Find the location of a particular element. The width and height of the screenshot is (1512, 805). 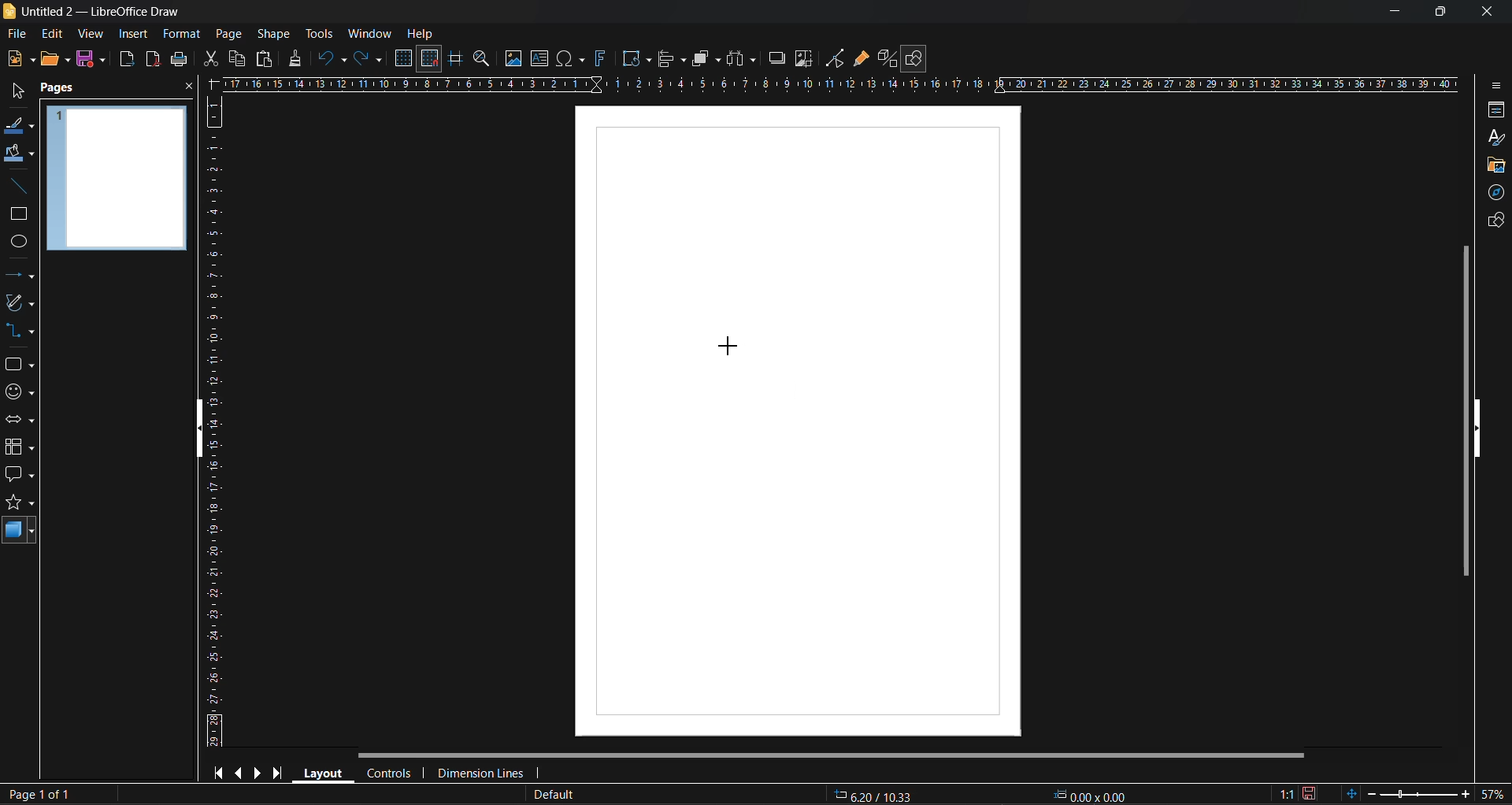

flowchart is located at coordinates (20, 447).